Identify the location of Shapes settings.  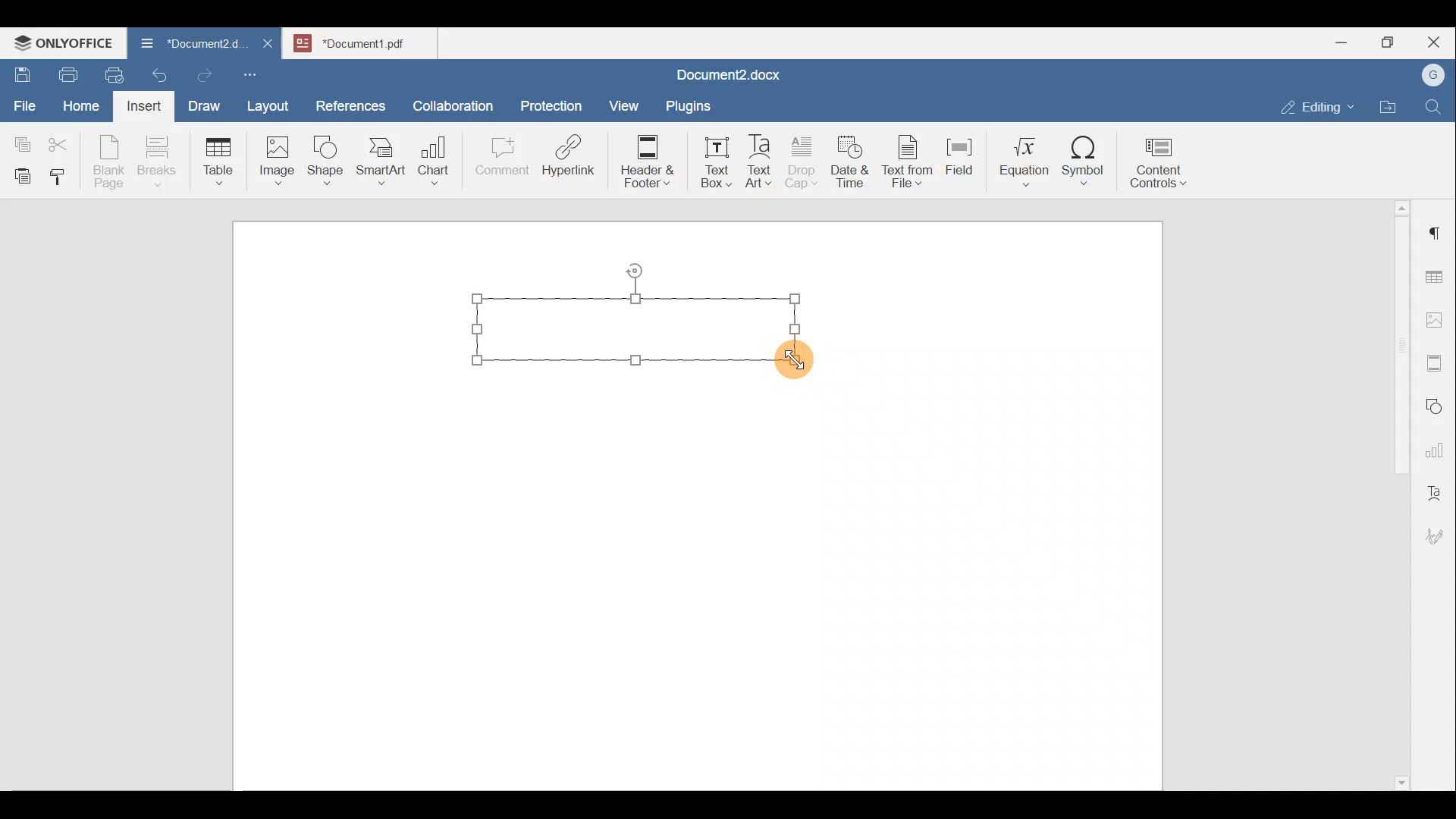
(1437, 404).